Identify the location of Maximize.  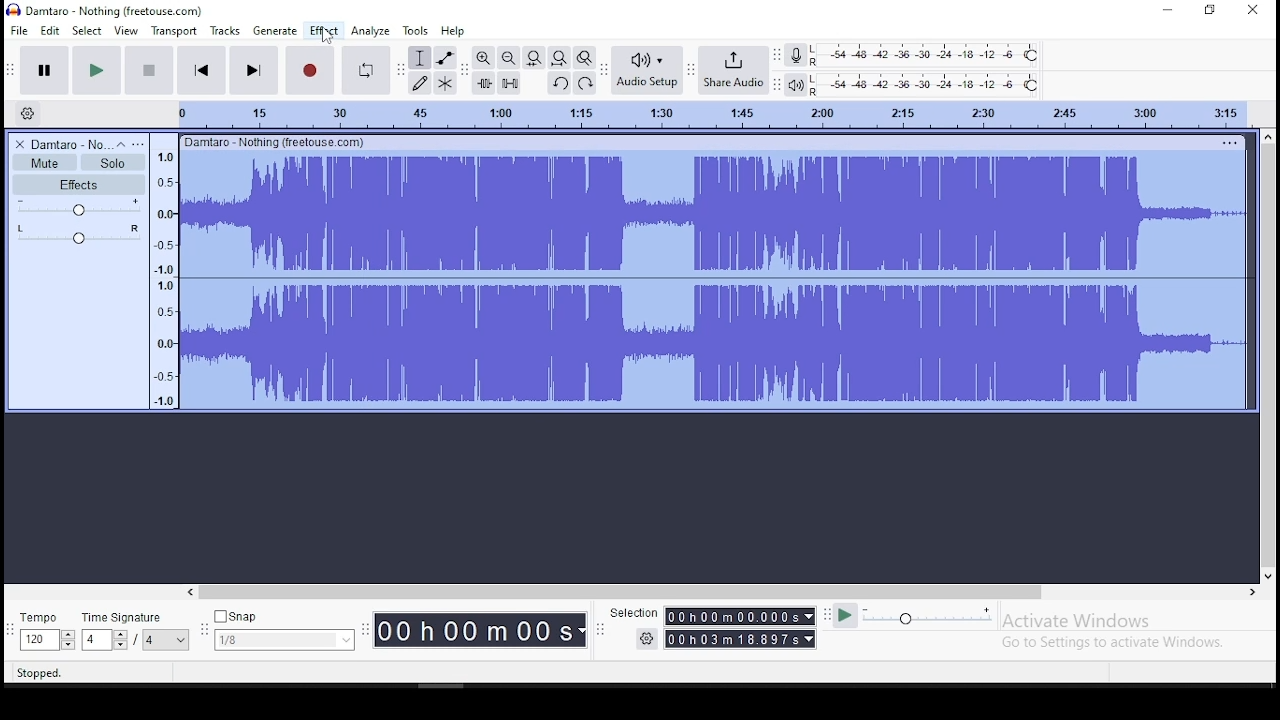
(1210, 12).